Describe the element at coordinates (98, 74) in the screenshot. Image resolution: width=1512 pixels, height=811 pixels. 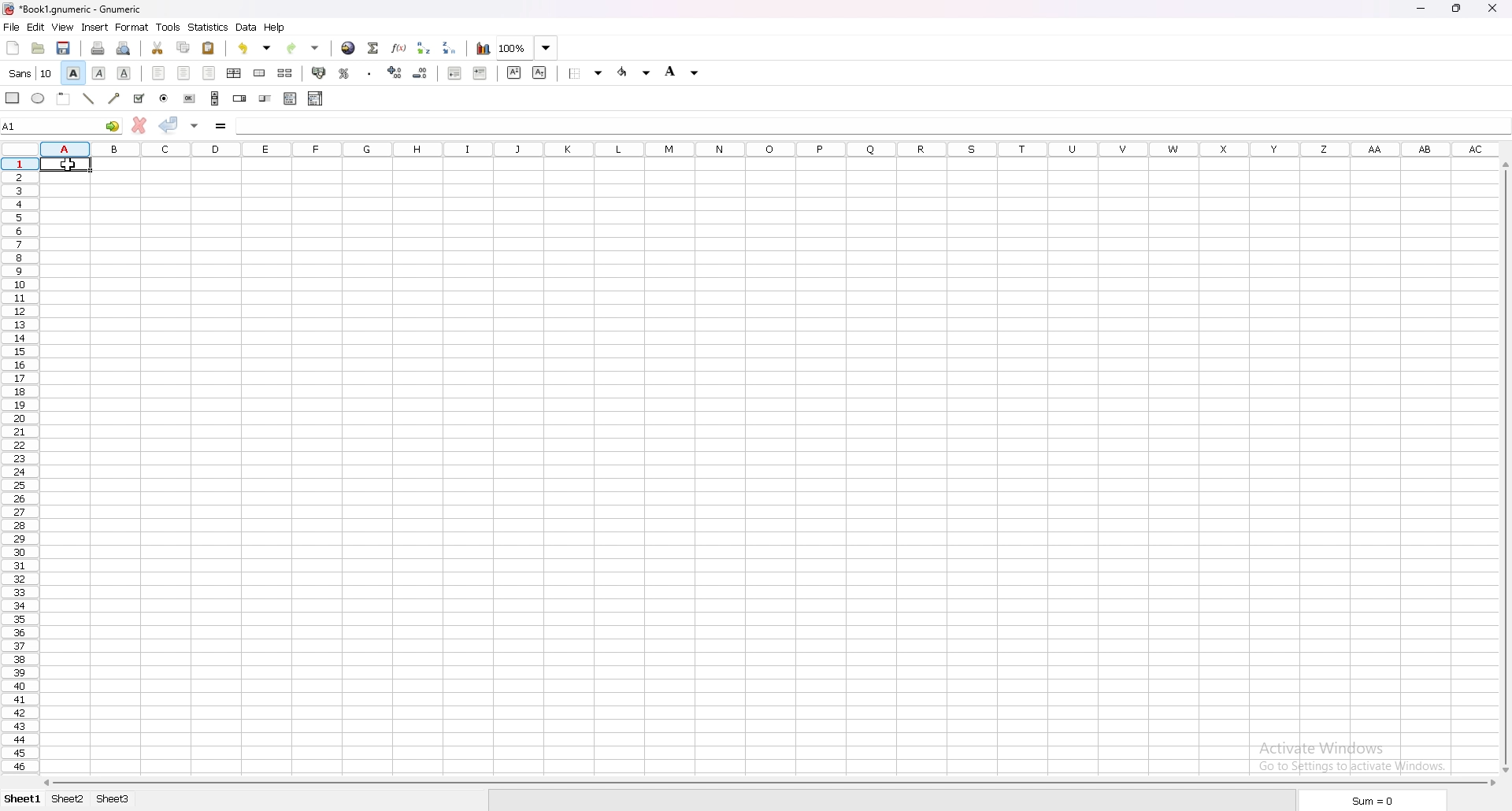
I see `italic` at that location.